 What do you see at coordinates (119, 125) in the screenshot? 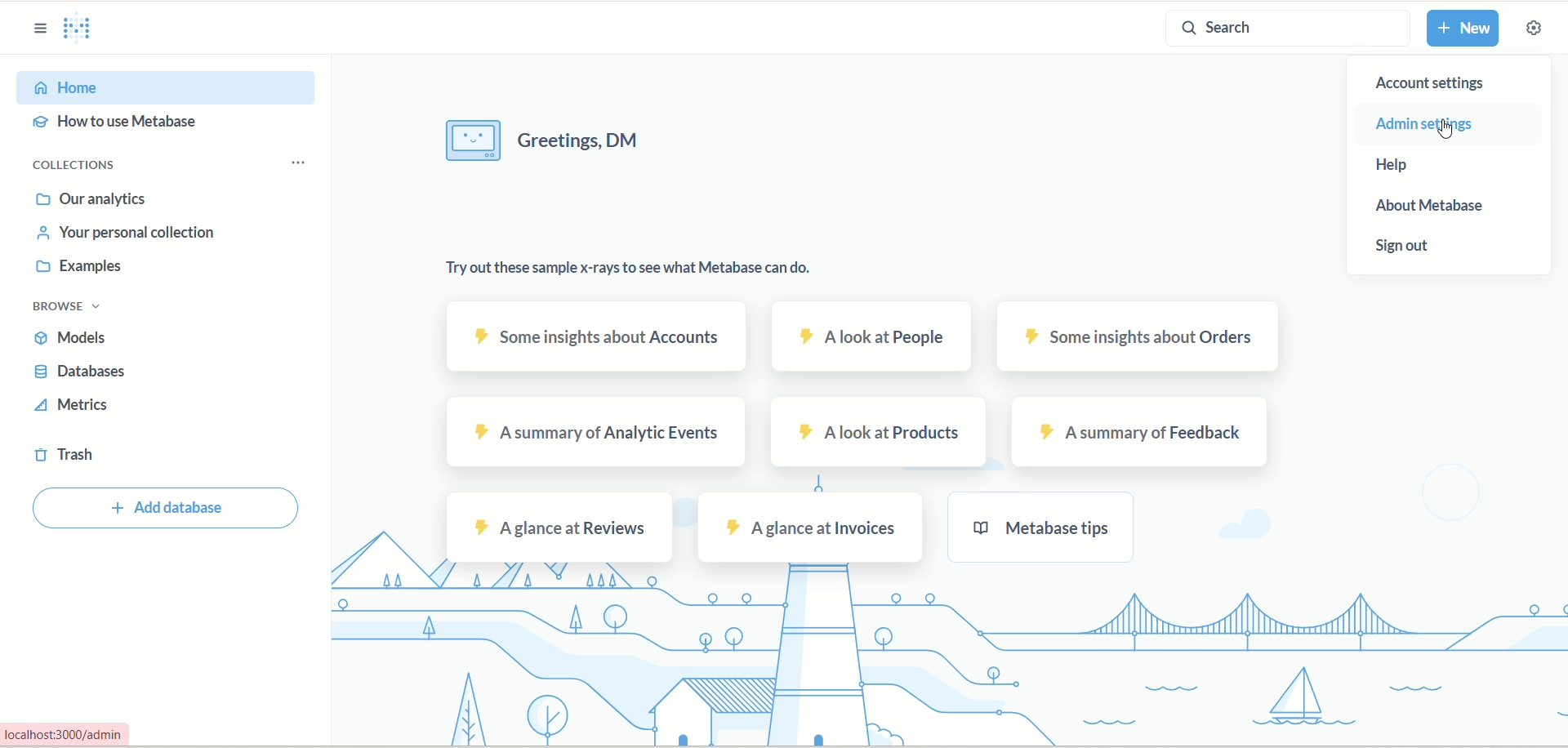
I see `how to use metabase` at bounding box center [119, 125].